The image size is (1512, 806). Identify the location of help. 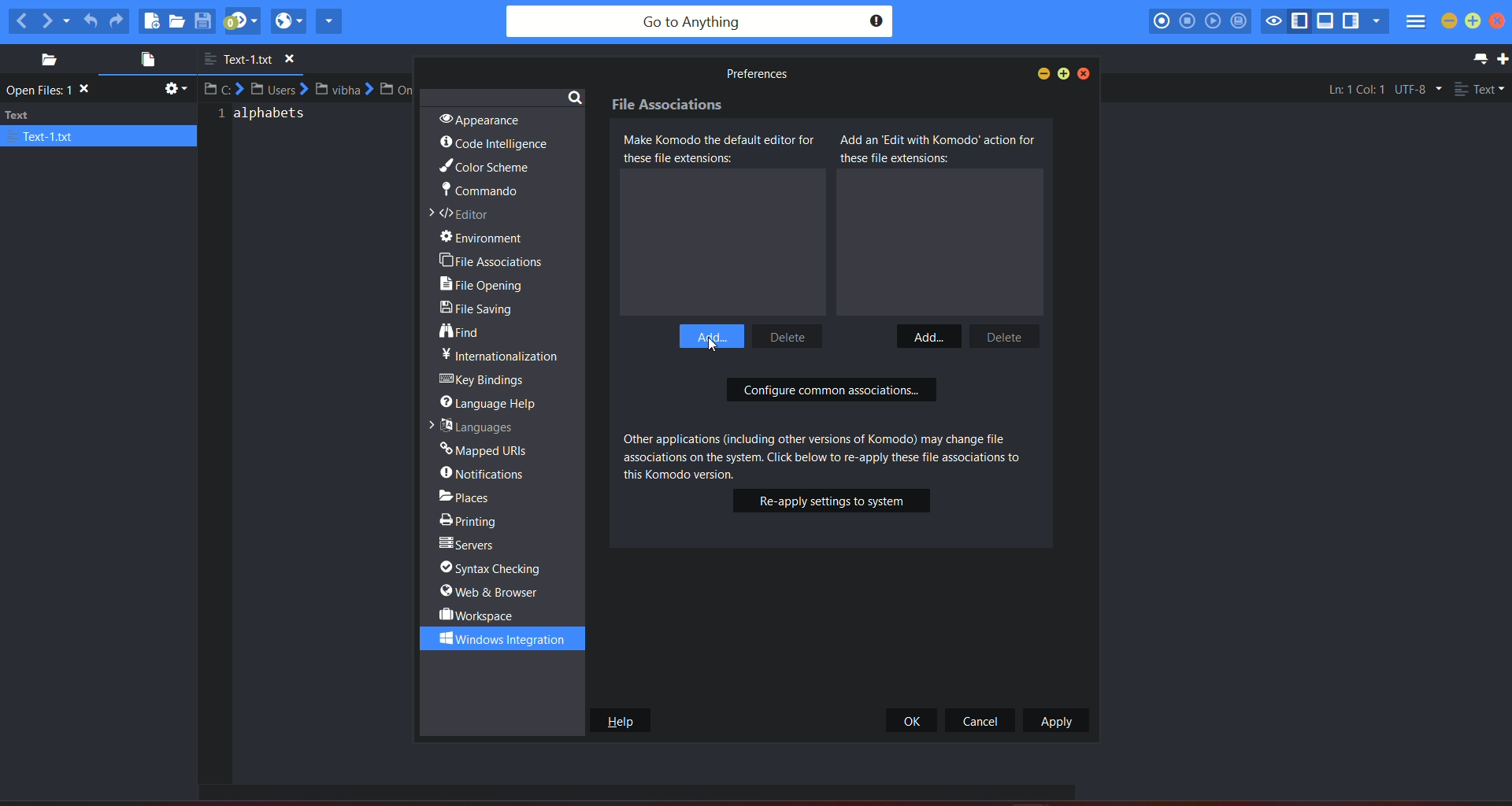
(619, 720).